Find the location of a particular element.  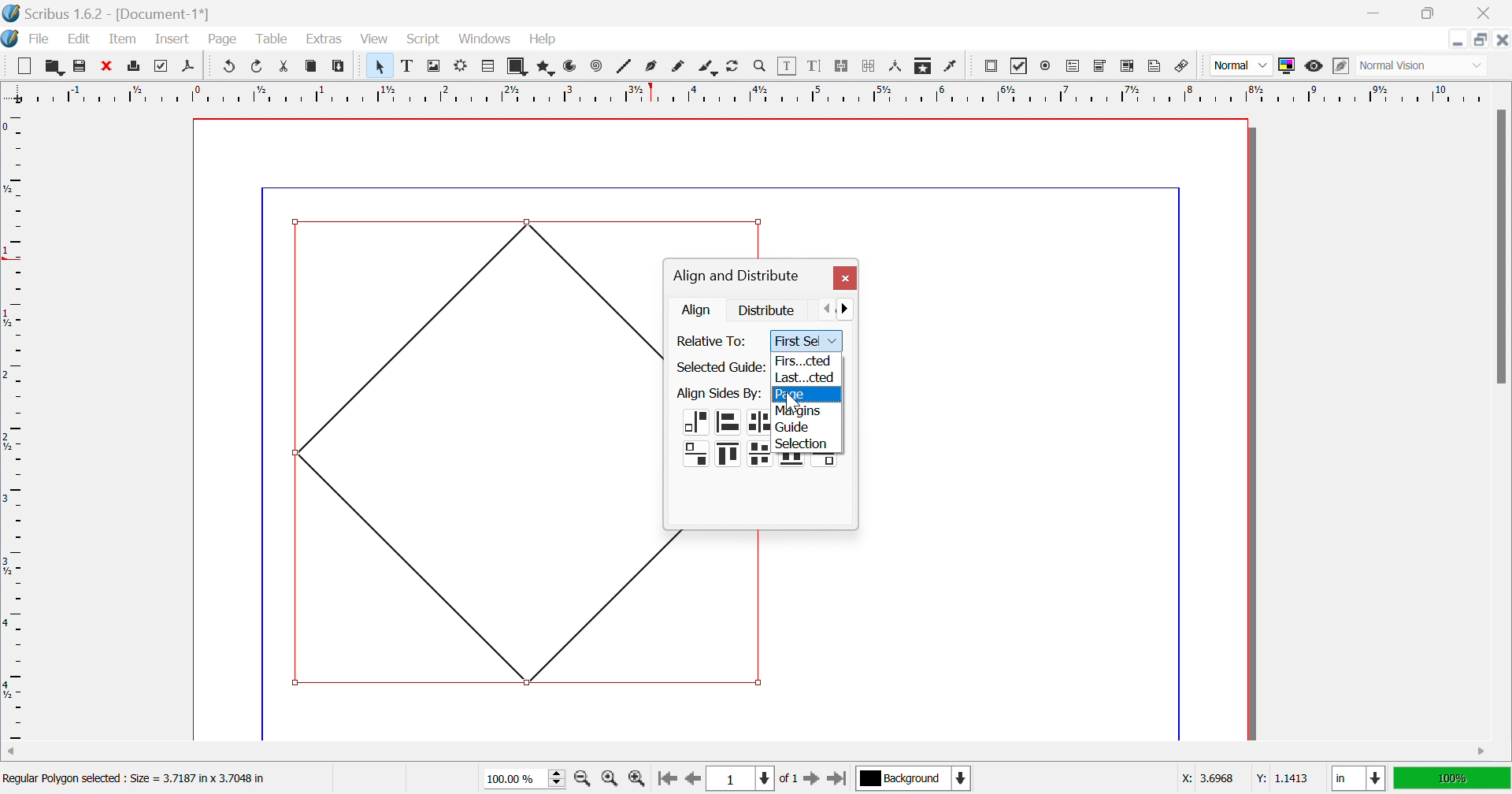

Polygon is located at coordinates (547, 68).